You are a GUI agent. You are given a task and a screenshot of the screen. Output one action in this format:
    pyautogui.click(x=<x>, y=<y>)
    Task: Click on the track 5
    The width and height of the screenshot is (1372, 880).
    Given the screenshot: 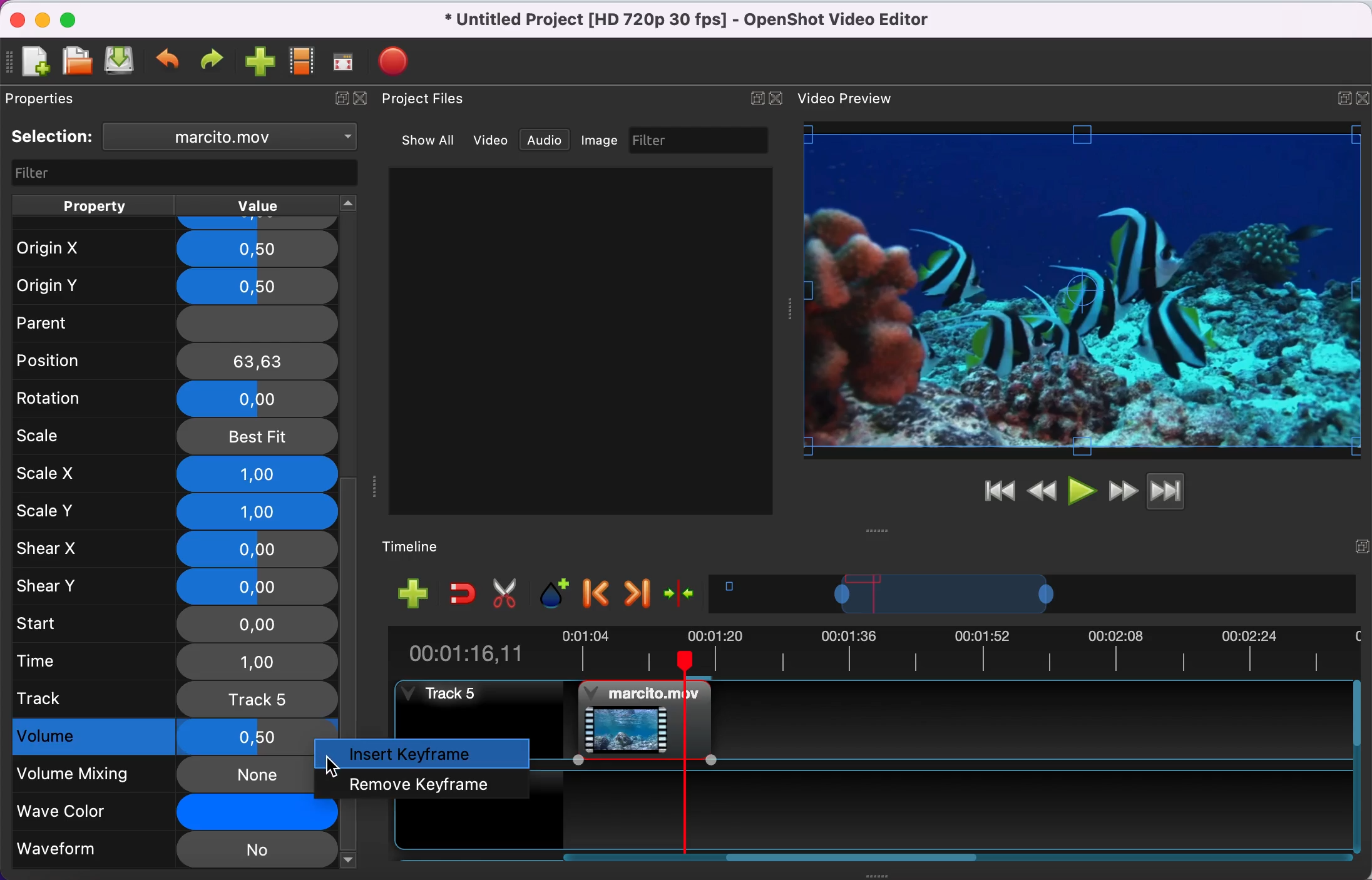 What is the action you would take?
    pyautogui.click(x=174, y=698)
    